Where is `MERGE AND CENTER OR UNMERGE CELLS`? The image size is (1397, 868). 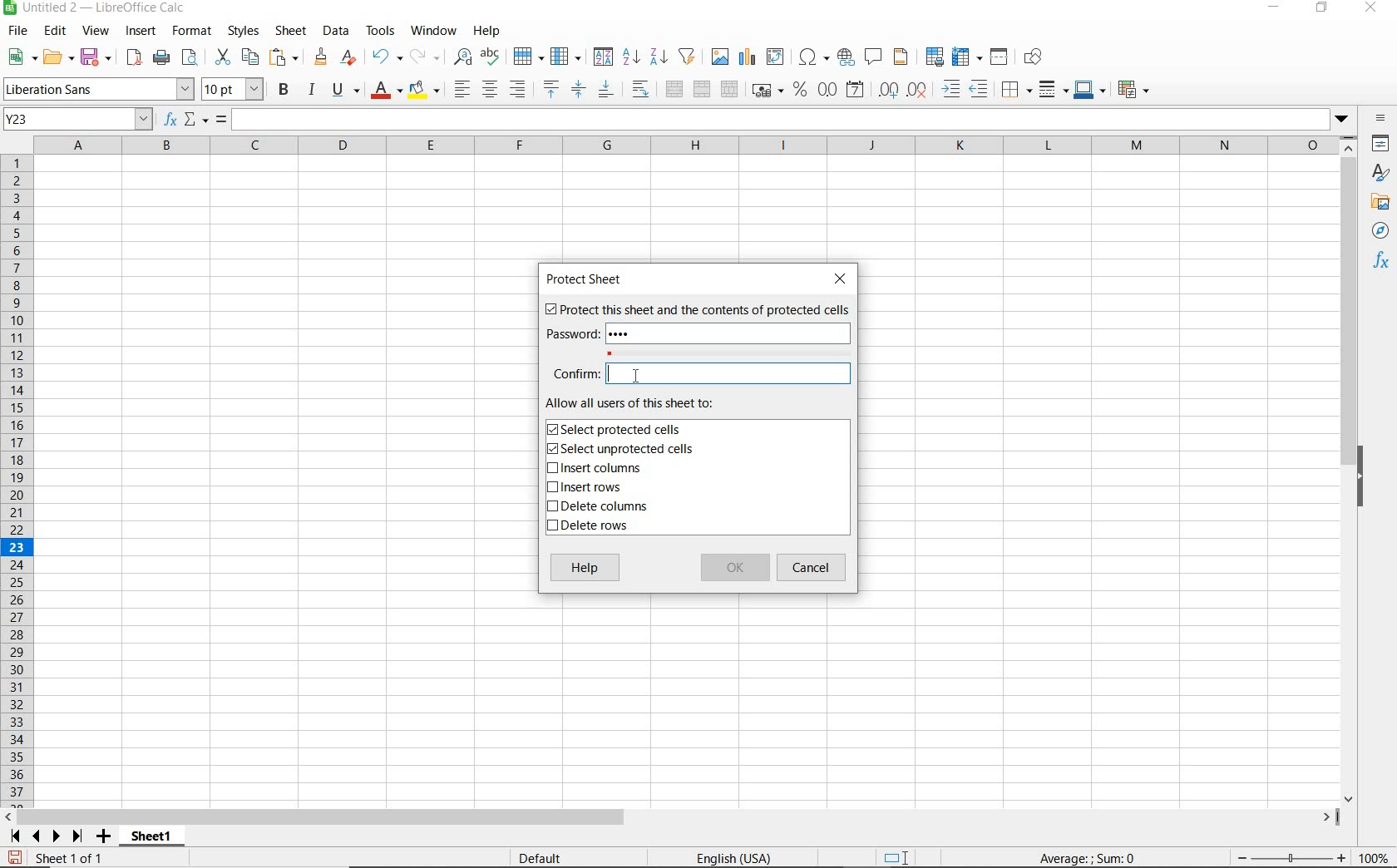
MERGE AND CENTER OR UNMERGE CELLS is located at coordinates (674, 89).